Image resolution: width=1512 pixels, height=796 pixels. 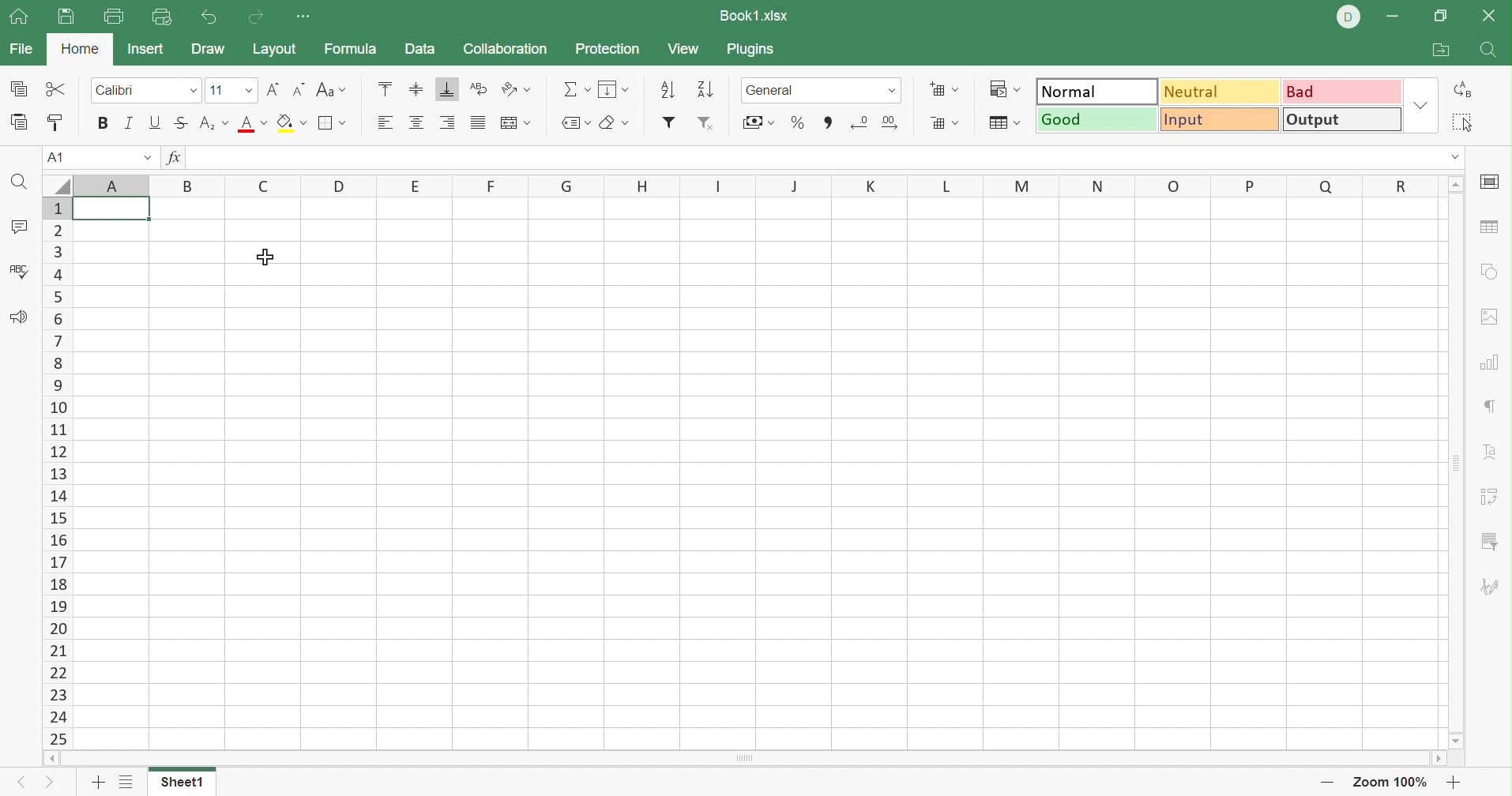 I want to click on Drop down, so click(x=1455, y=156).